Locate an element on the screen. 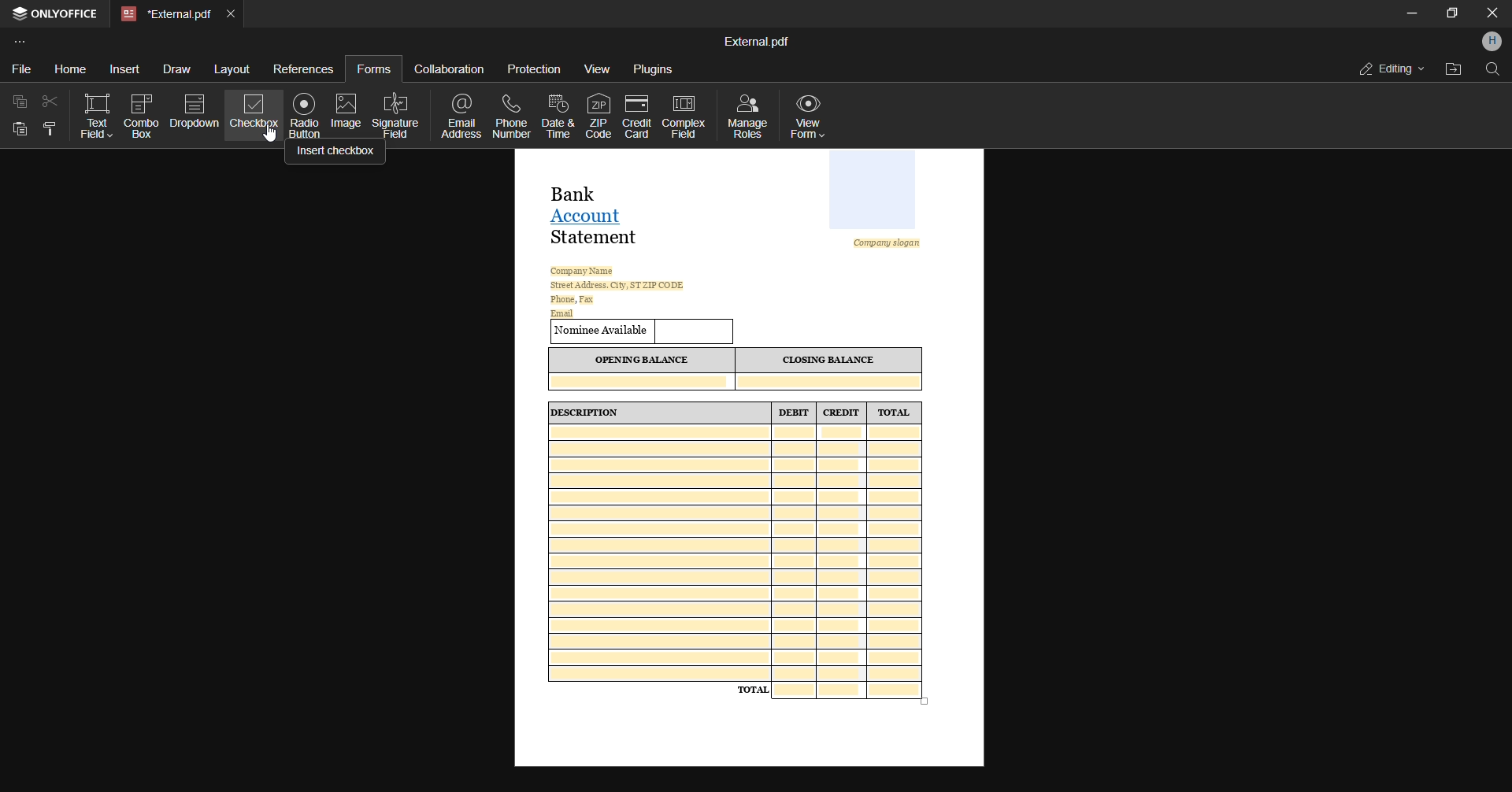  complex field is located at coordinates (683, 117).